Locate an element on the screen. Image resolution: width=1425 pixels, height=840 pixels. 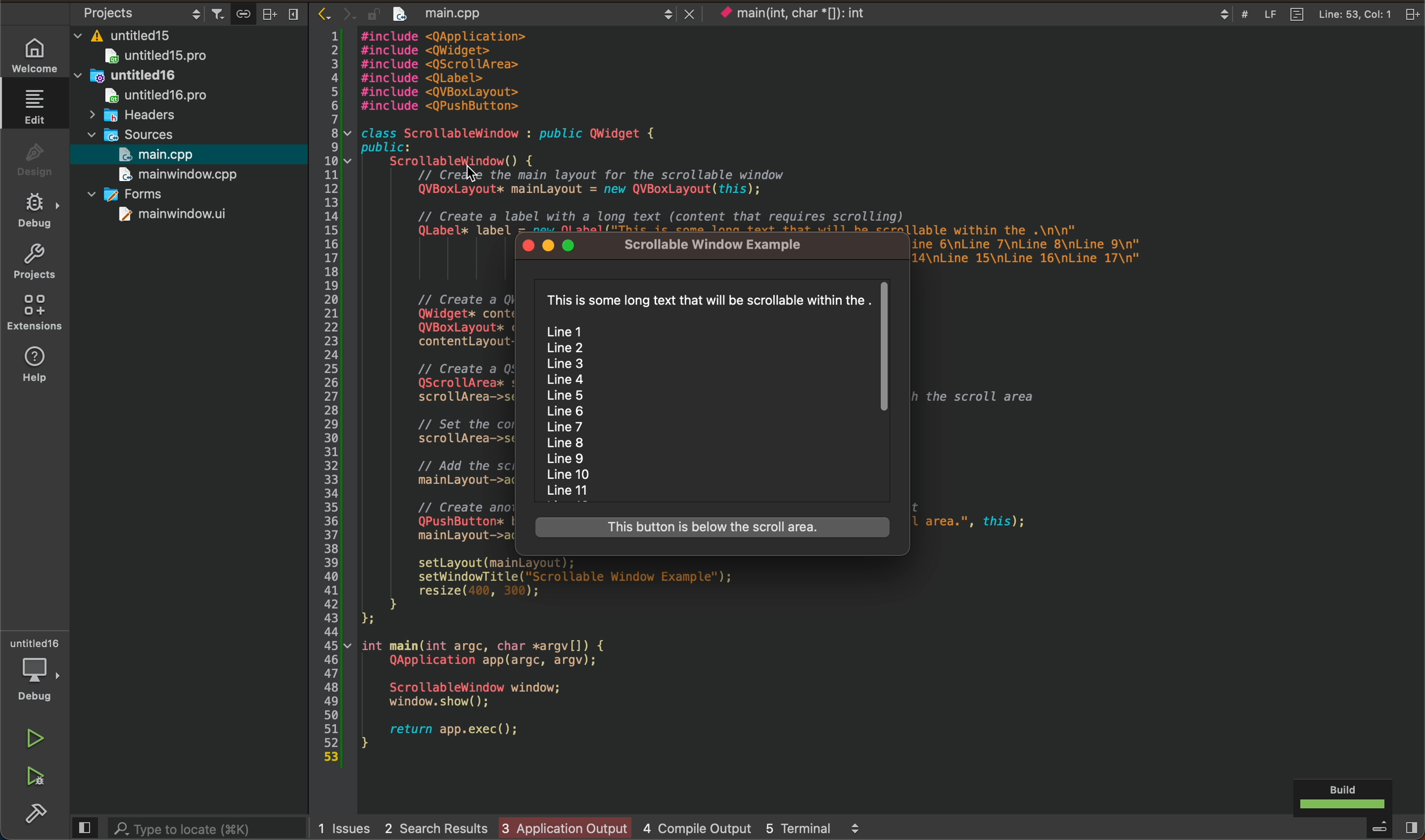
close is located at coordinates (1409, 14).